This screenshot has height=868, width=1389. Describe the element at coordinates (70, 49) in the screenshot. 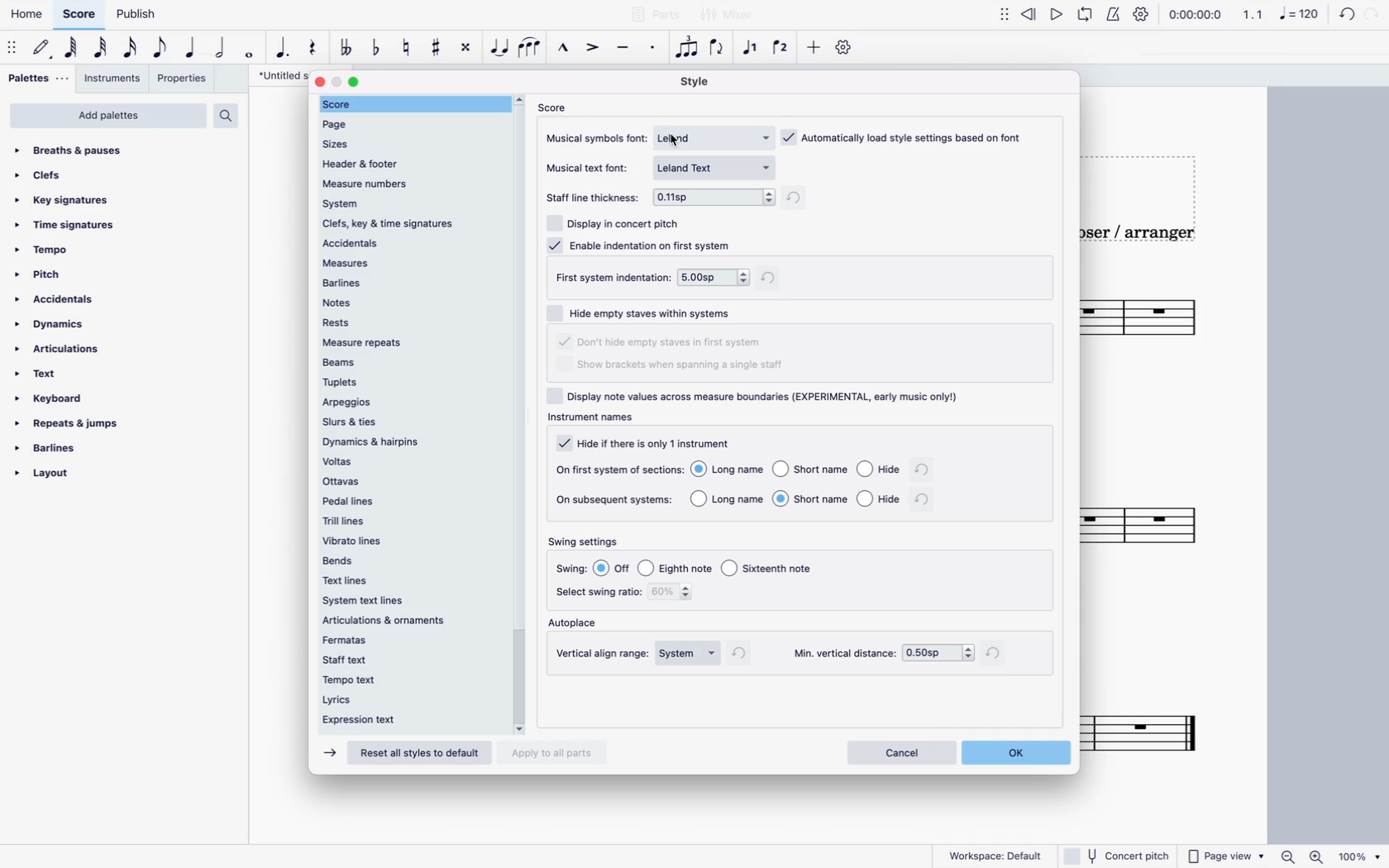

I see `note` at that location.